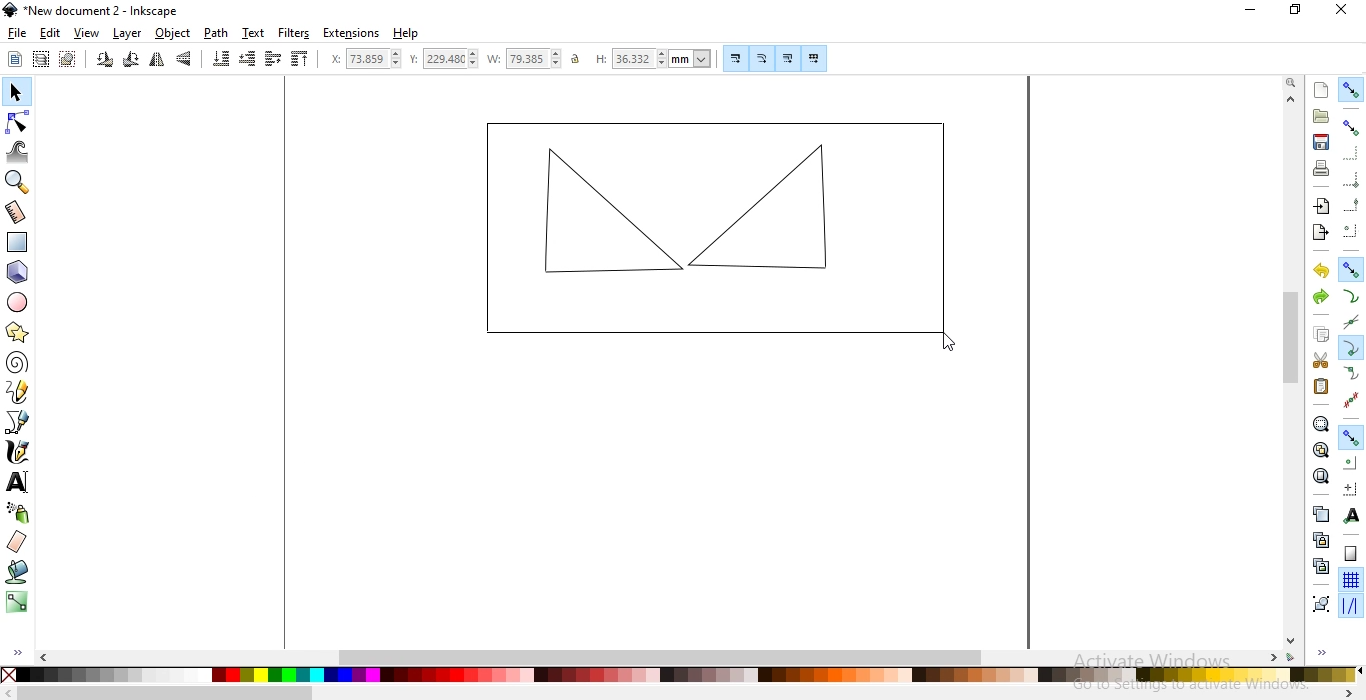 The image size is (1366, 700). What do you see at coordinates (653, 58) in the screenshot?
I see `height of selection` at bounding box center [653, 58].